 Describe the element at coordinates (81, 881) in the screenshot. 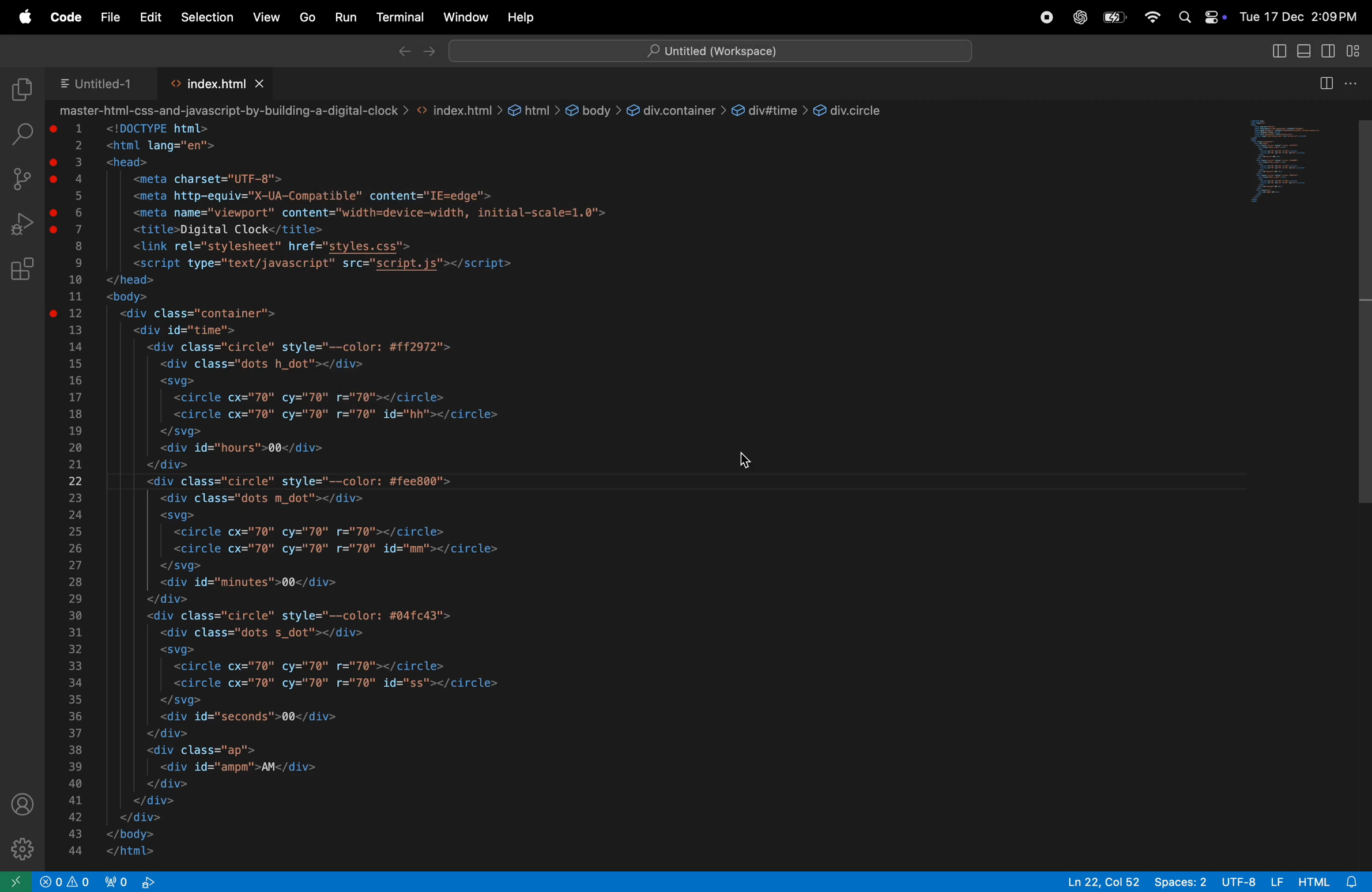

I see `alert` at that location.